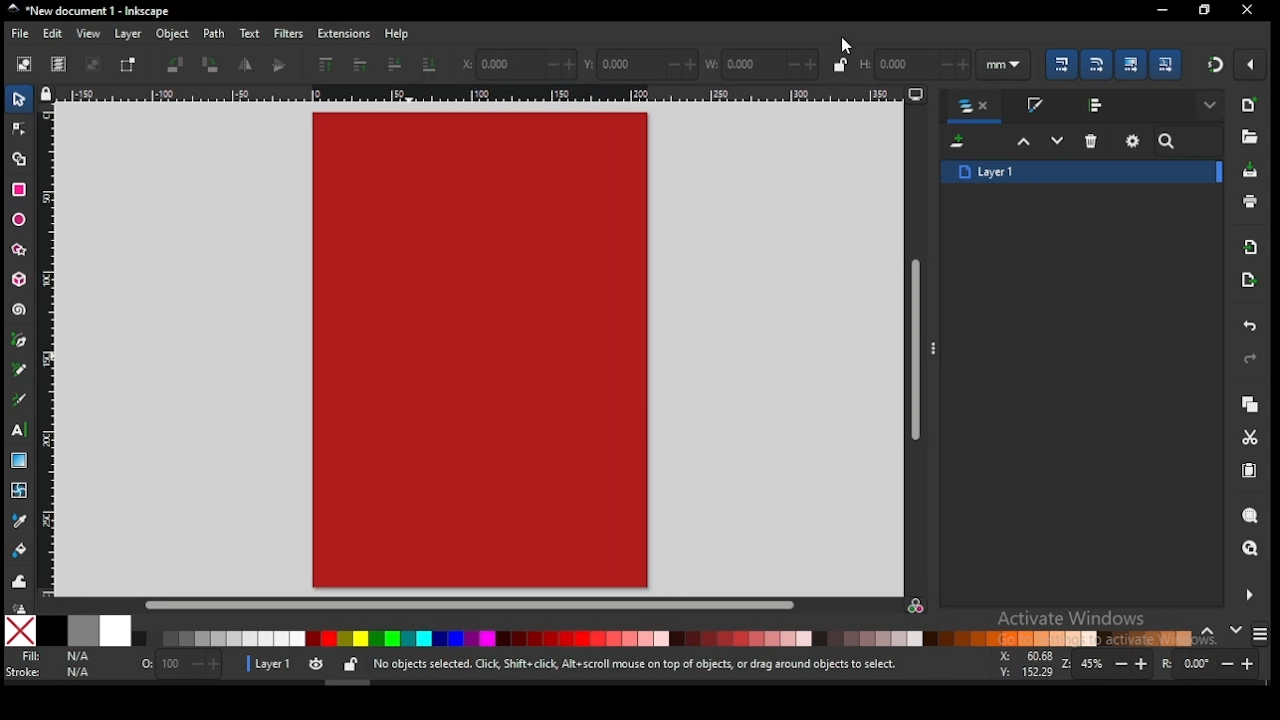 This screenshot has width=1280, height=720. Describe the element at coordinates (19, 190) in the screenshot. I see `rectangle tool` at that location.